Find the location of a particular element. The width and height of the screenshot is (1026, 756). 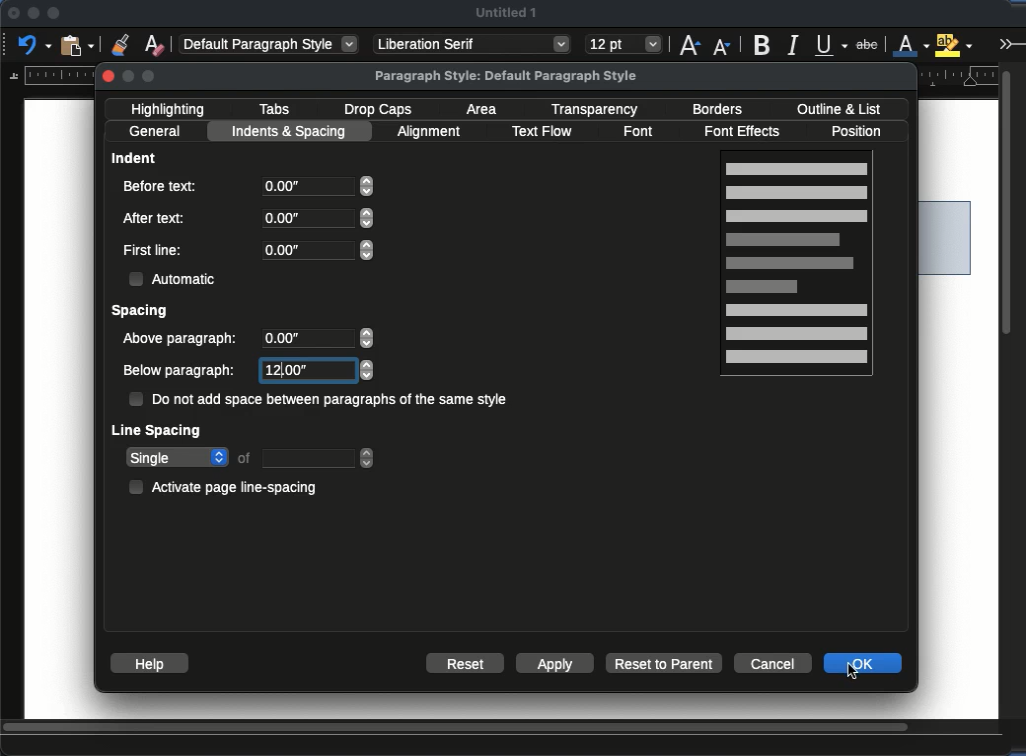

scroll is located at coordinates (502, 729).